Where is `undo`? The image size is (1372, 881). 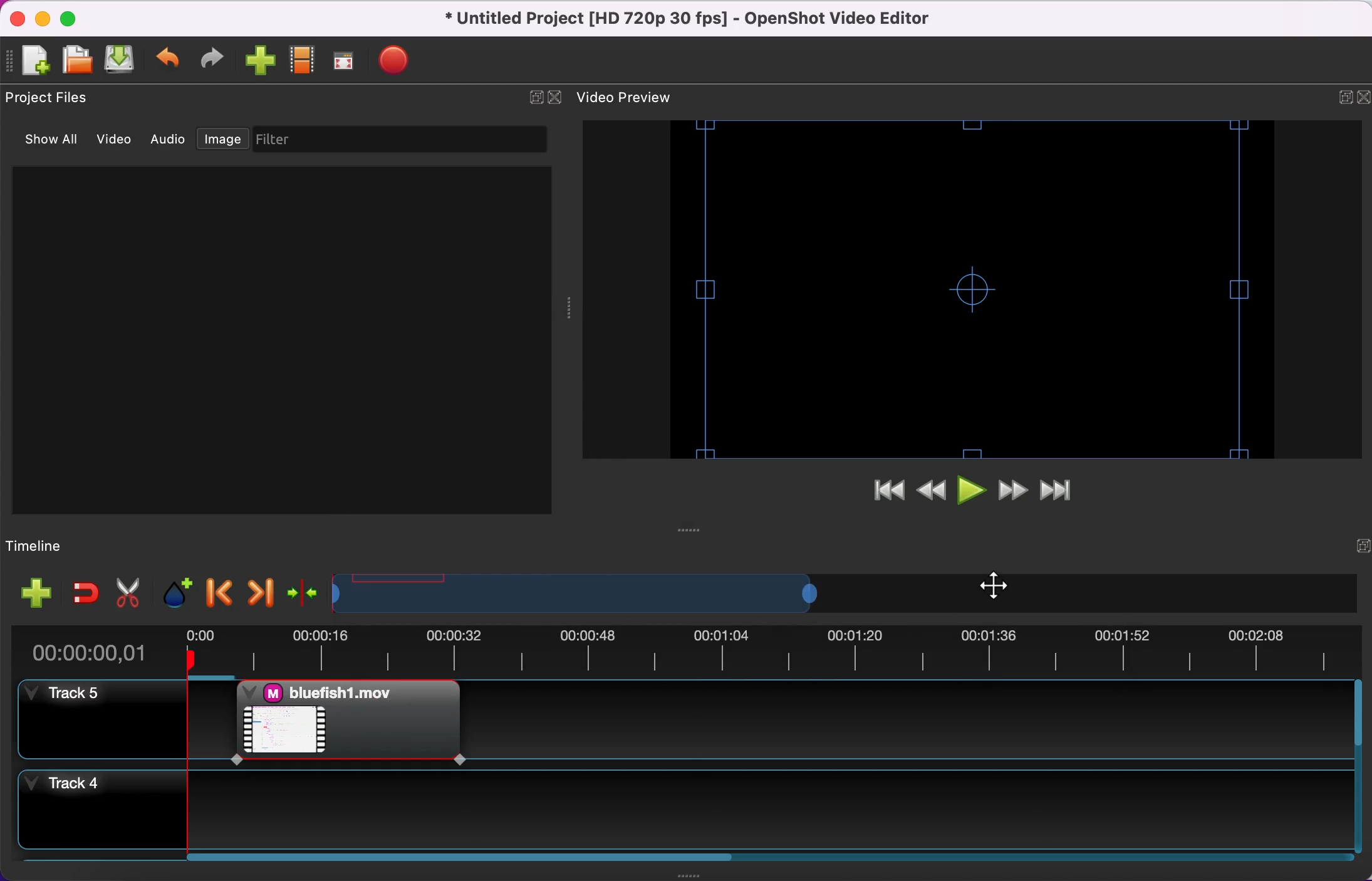 undo is located at coordinates (172, 61).